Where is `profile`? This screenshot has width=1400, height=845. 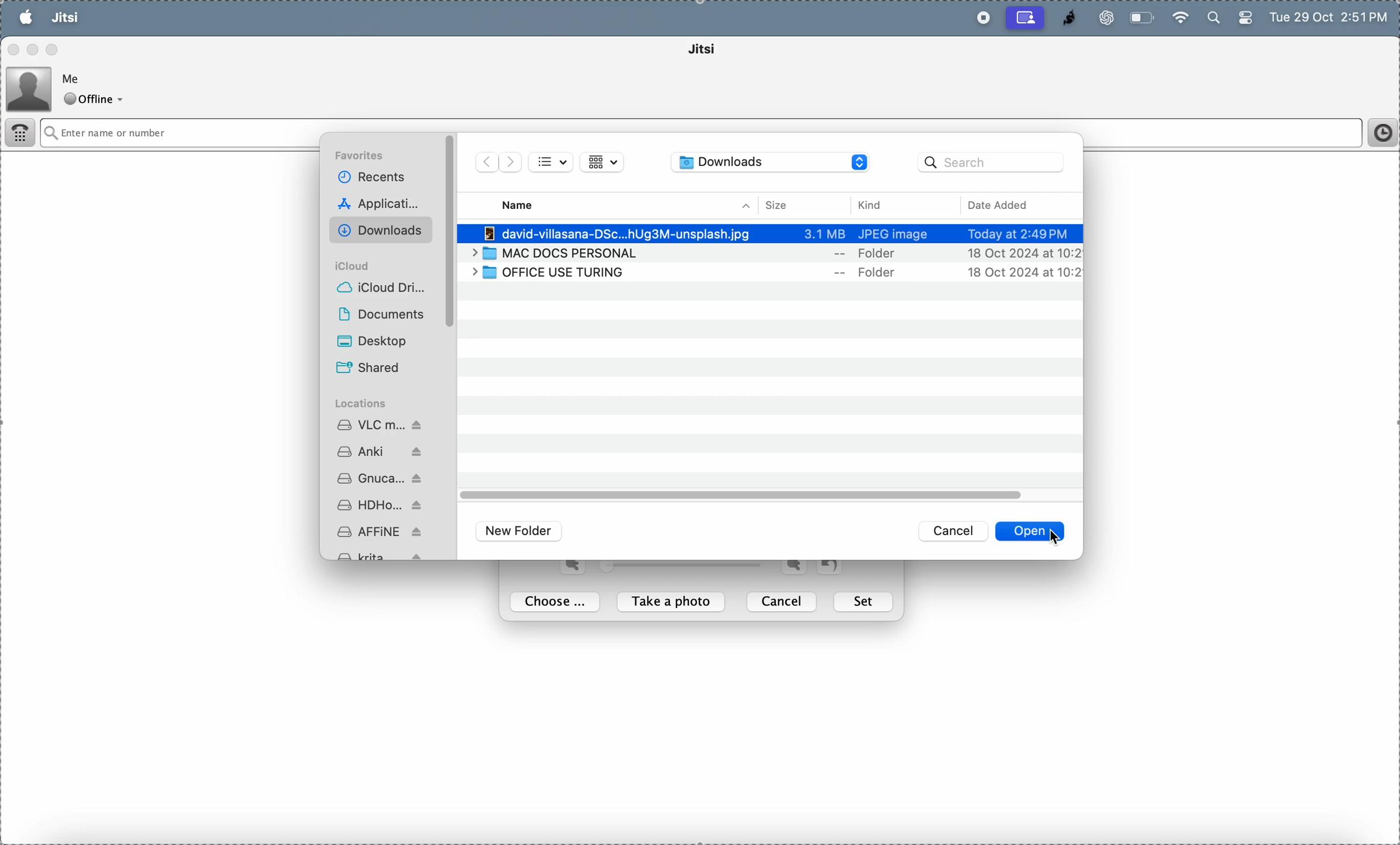
profile is located at coordinates (30, 87).